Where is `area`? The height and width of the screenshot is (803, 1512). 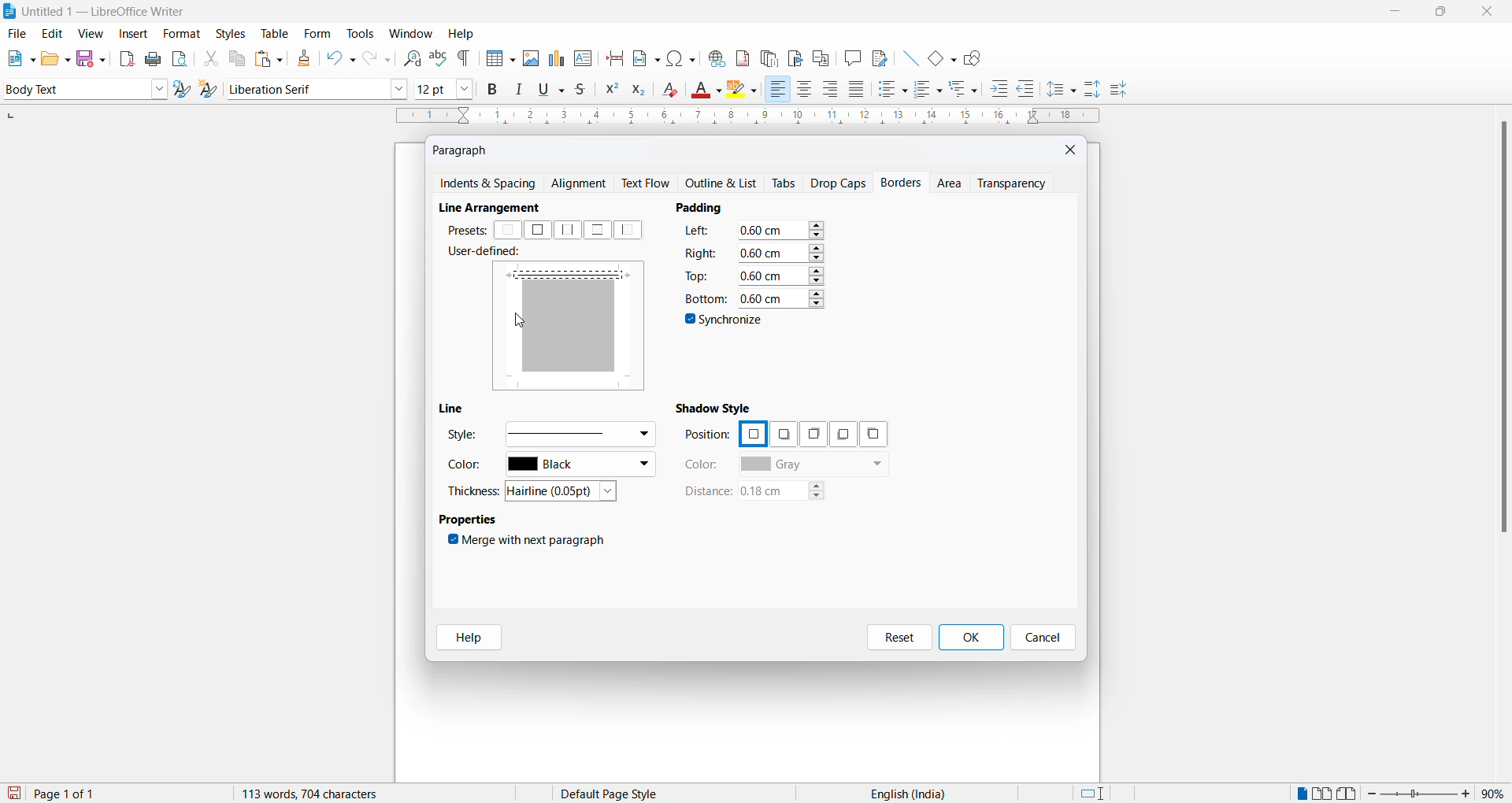
area is located at coordinates (951, 184).